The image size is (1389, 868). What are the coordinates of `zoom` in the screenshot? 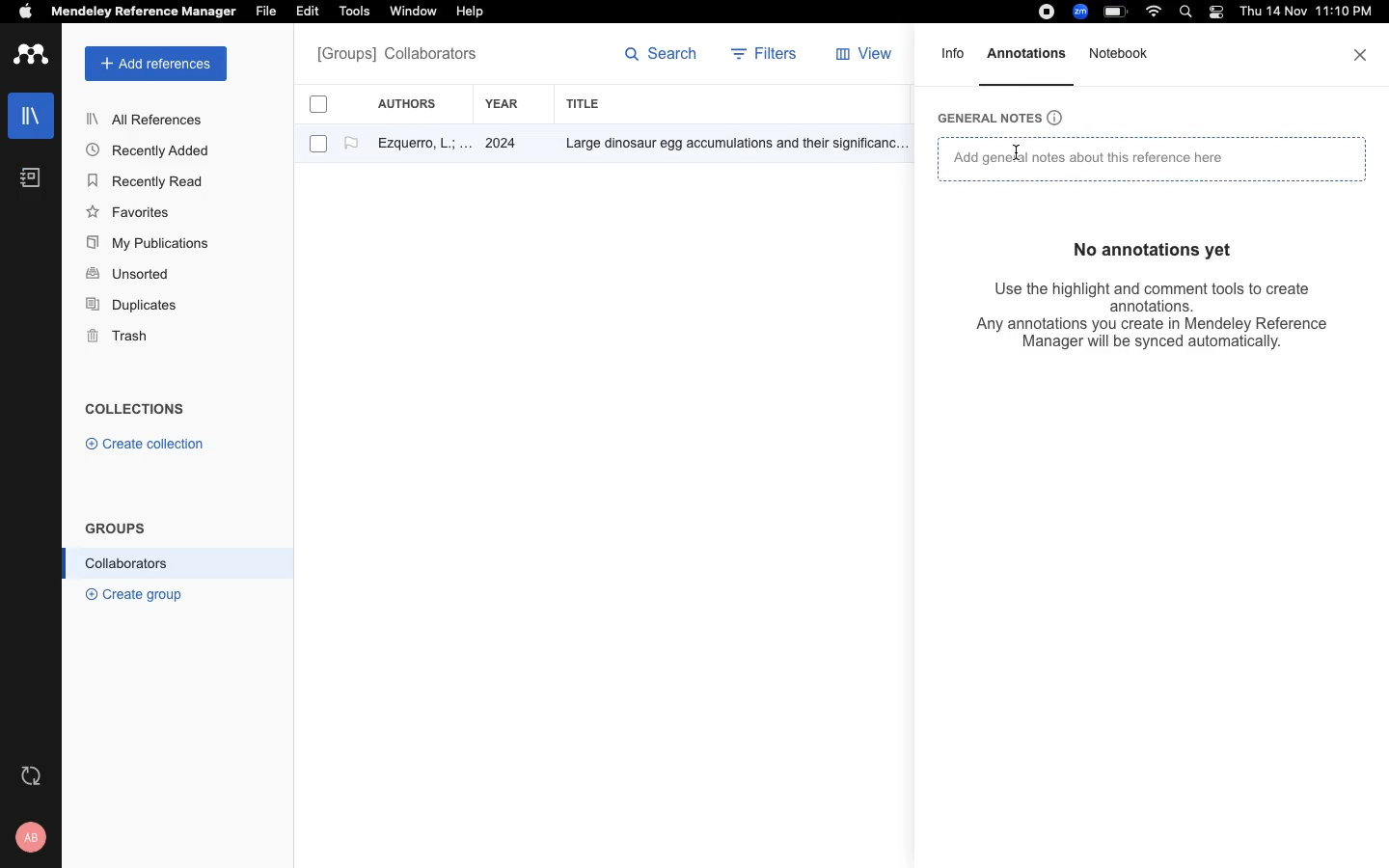 It's located at (1083, 12).